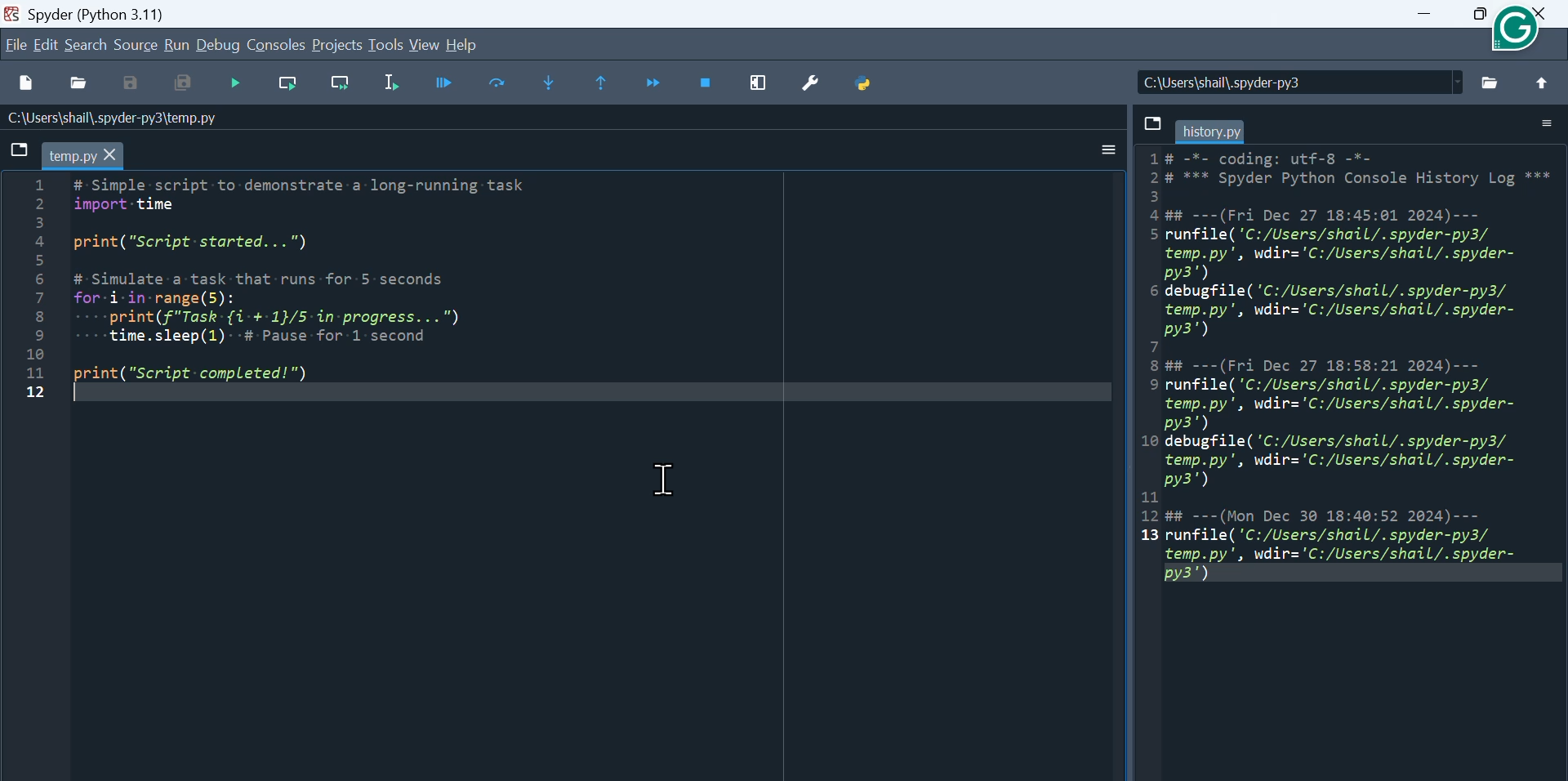  I want to click on temp.py , so click(82, 155).